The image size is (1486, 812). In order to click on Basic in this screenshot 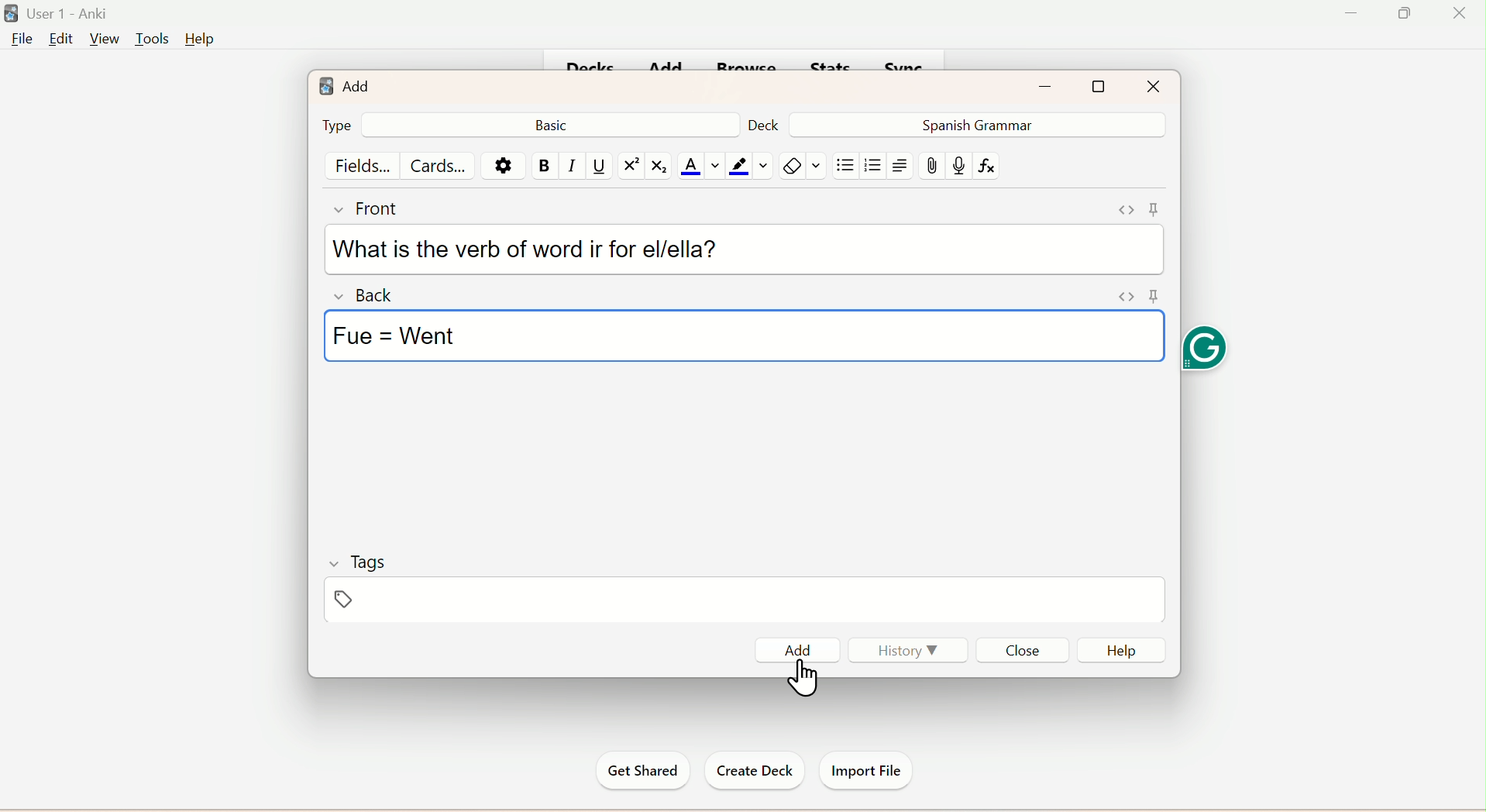, I will do `click(555, 124)`.